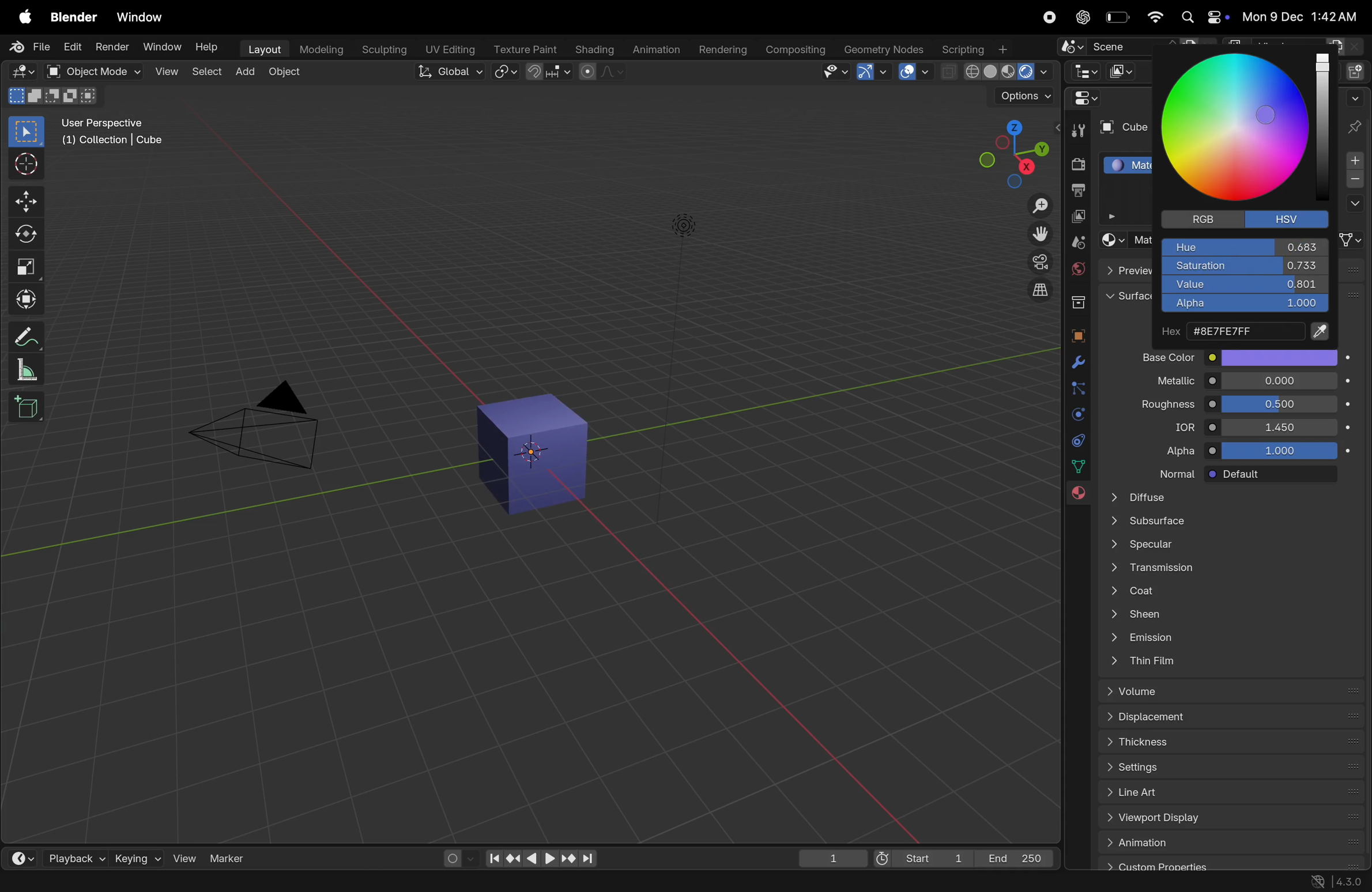 The image size is (1372, 892). What do you see at coordinates (1227, 765) in the screenshot?
I see `settings` at bounding box center [1227, 765].